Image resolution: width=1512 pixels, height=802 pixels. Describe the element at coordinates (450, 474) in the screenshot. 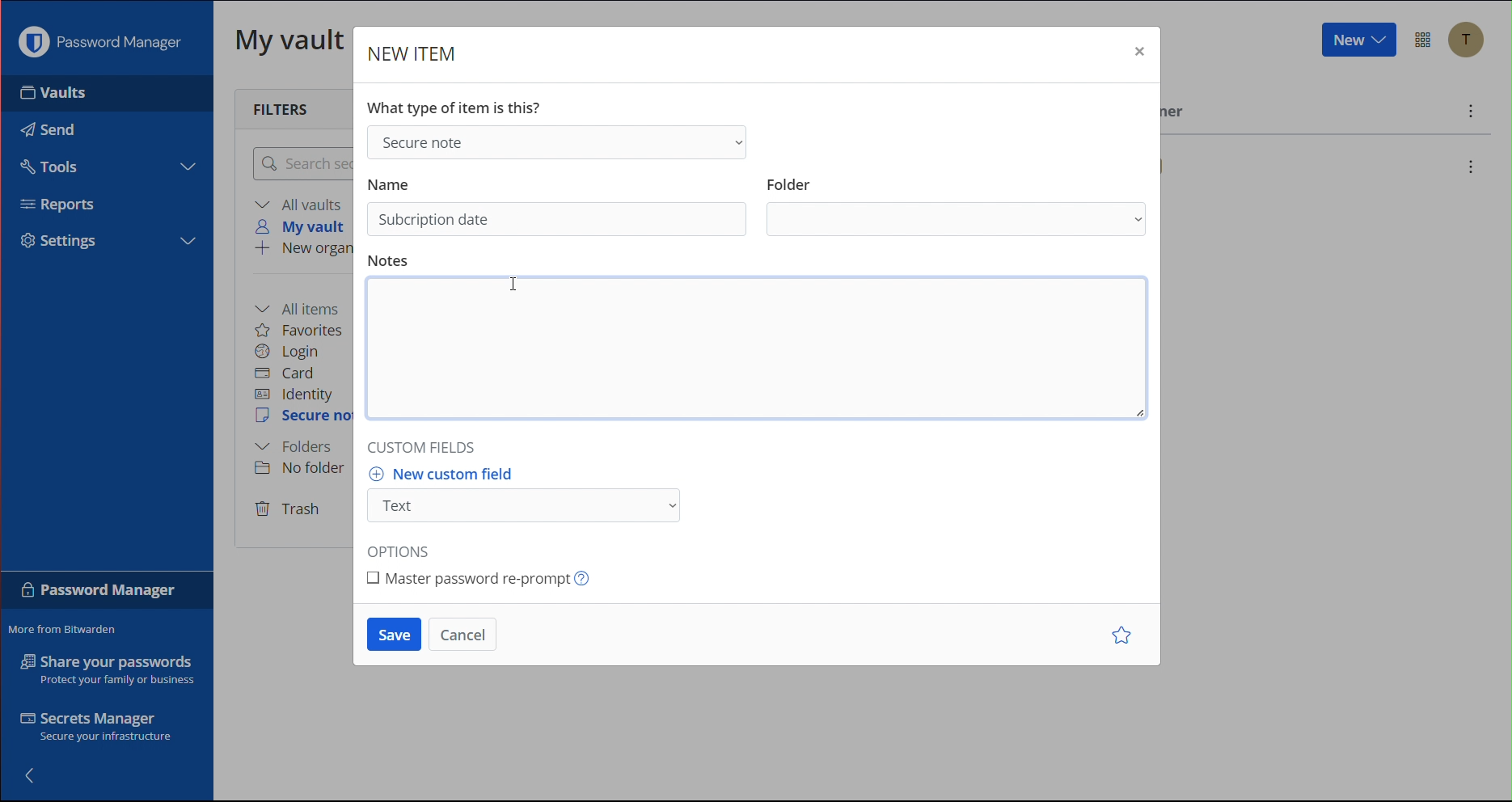

I see `New custom field` at that location.